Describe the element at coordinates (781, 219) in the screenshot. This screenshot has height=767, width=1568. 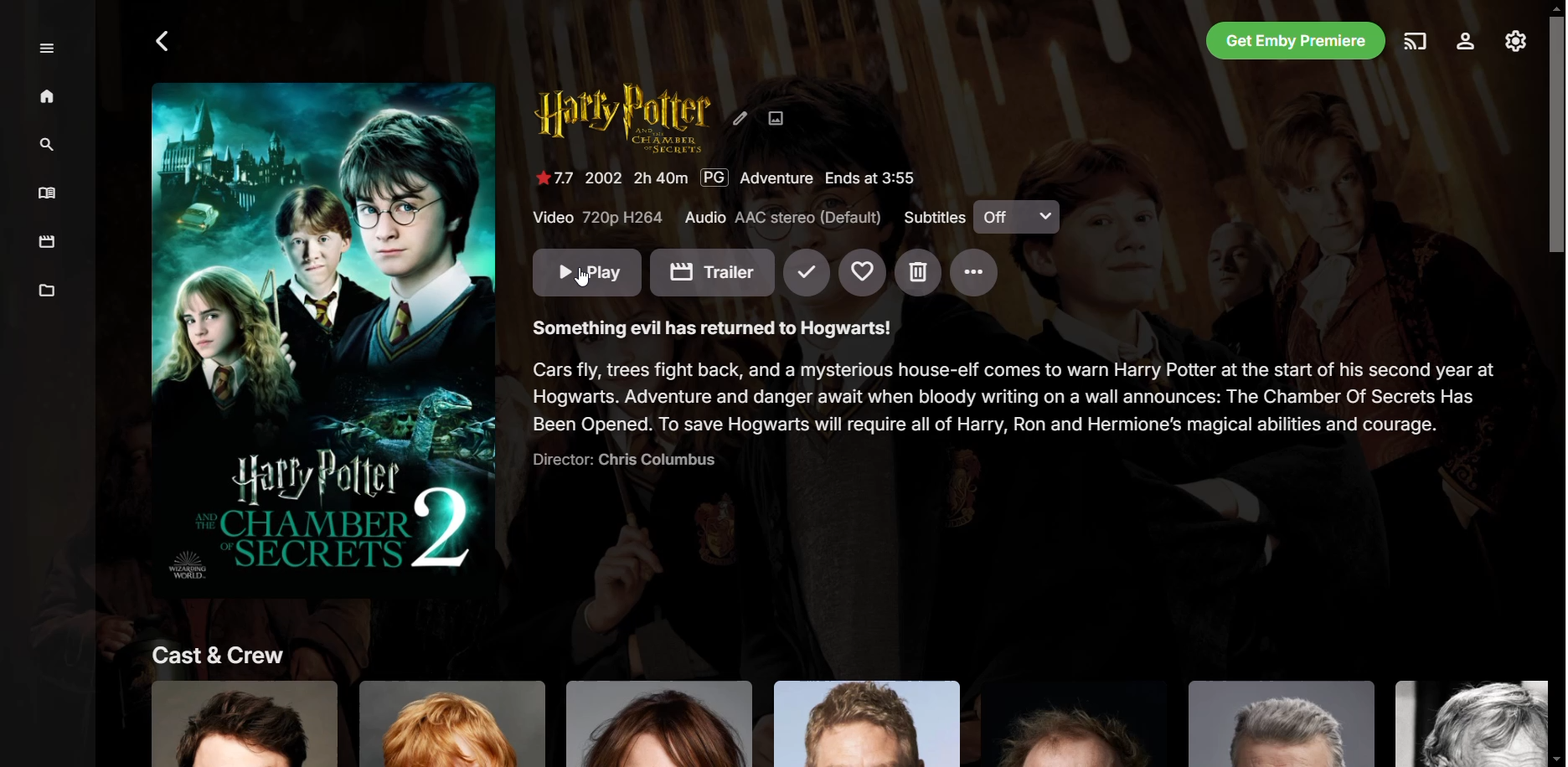
I see `Audio` at that location.